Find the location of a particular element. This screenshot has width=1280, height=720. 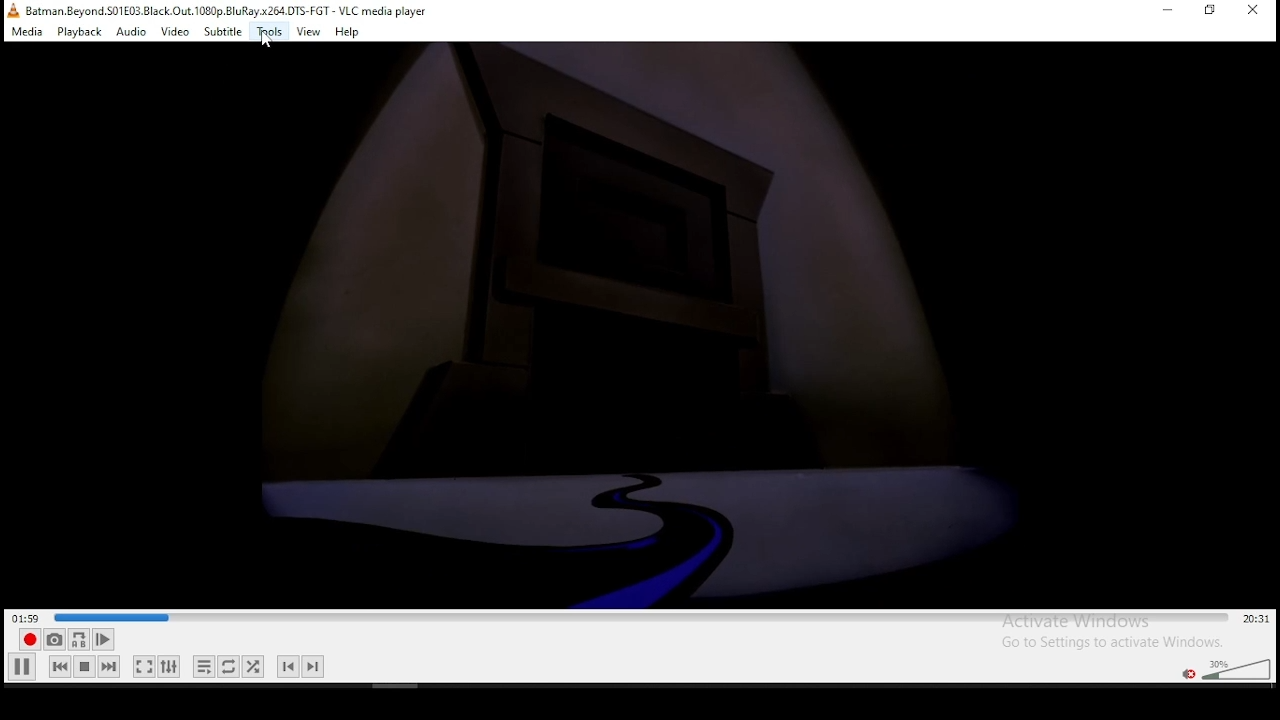

icon and file name is located at coordinates (220, 9).